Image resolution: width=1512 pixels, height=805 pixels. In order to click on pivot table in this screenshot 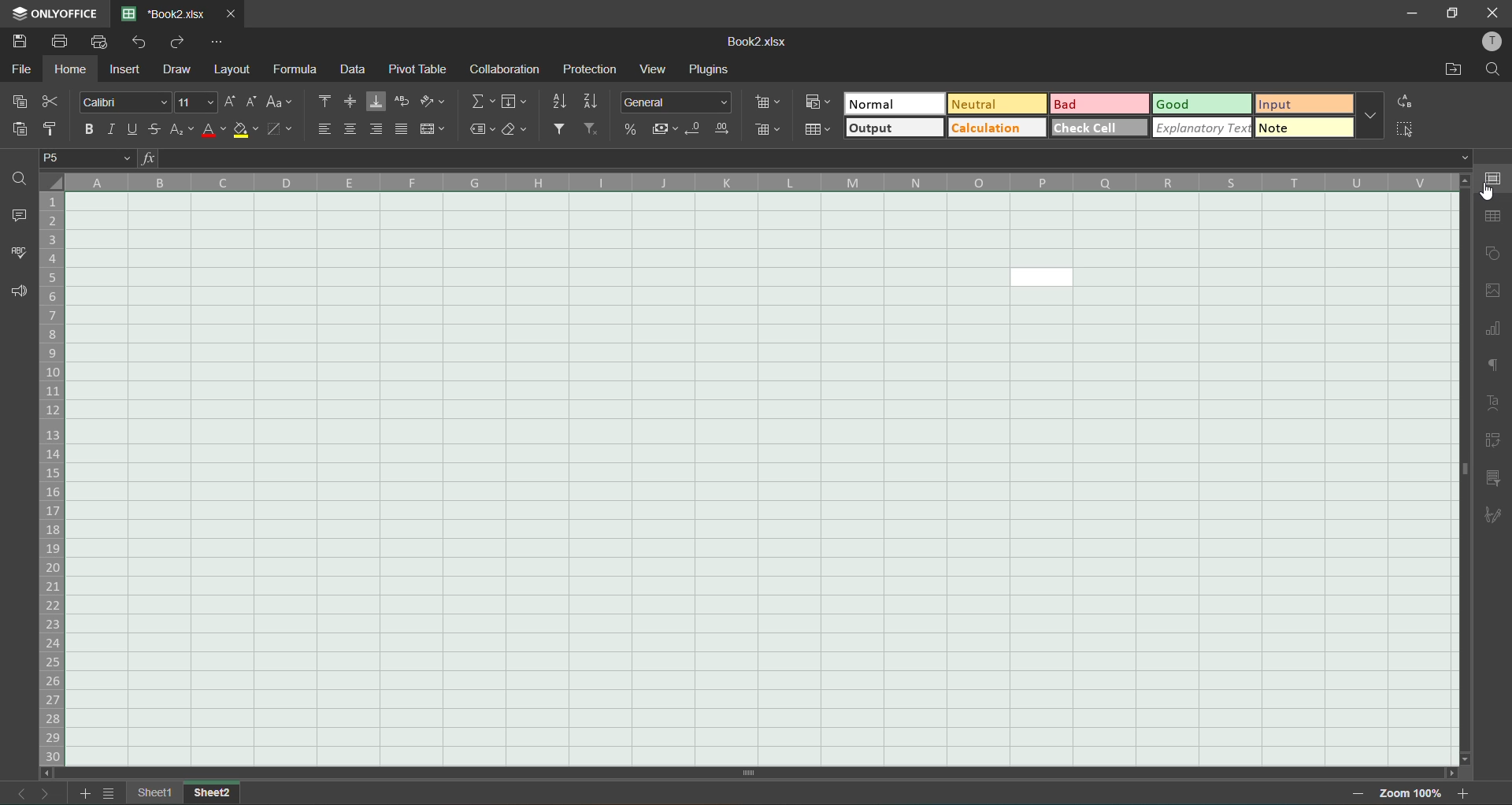, I will do `click(419, 69)`.